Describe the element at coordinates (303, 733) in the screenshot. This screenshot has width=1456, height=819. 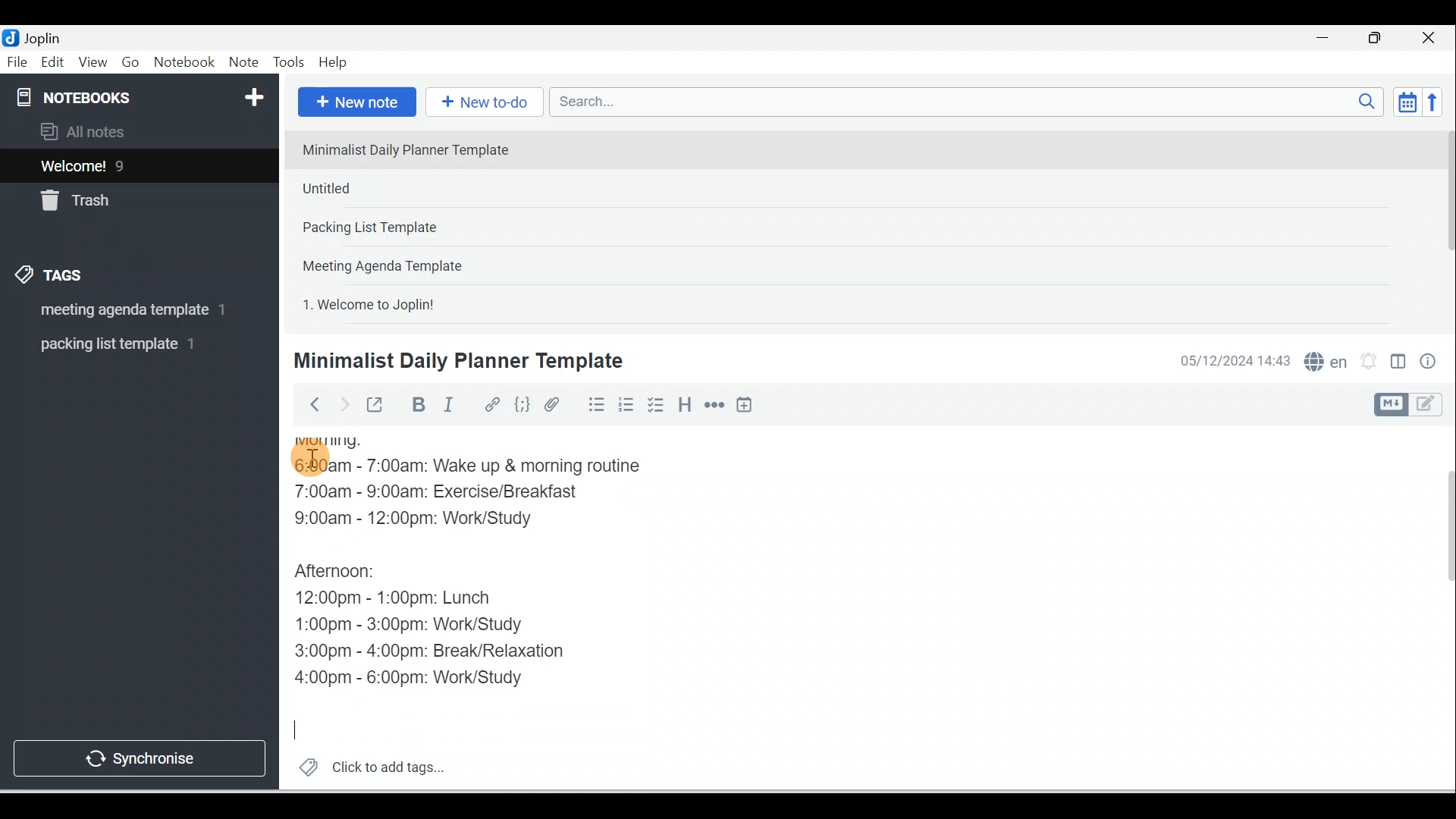
I see `Cursor` at that location.